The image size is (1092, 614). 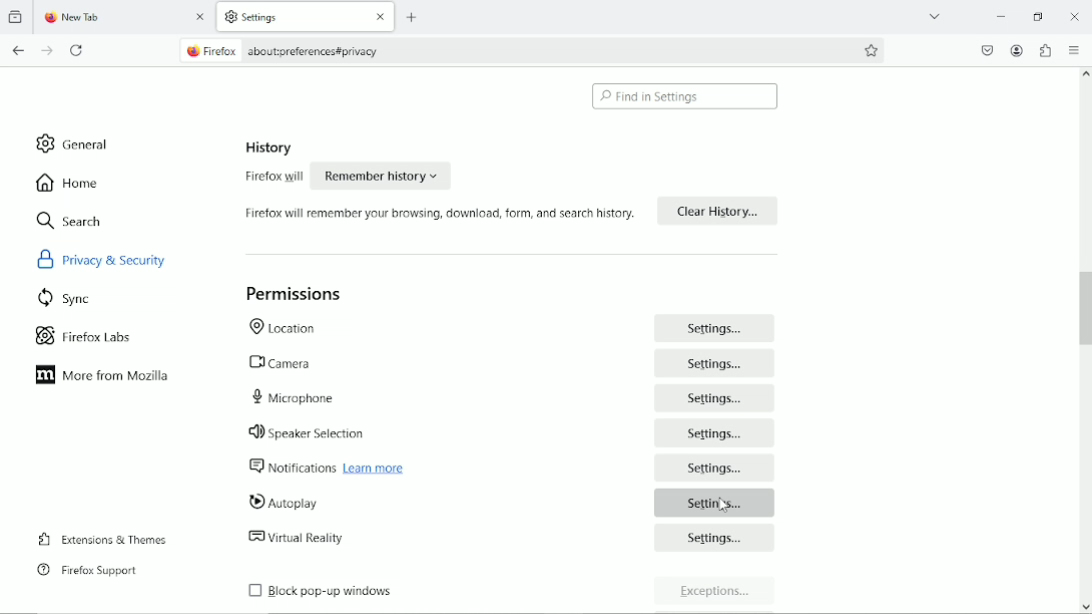 I want to click on restore down, so click(x=1038, y=14).